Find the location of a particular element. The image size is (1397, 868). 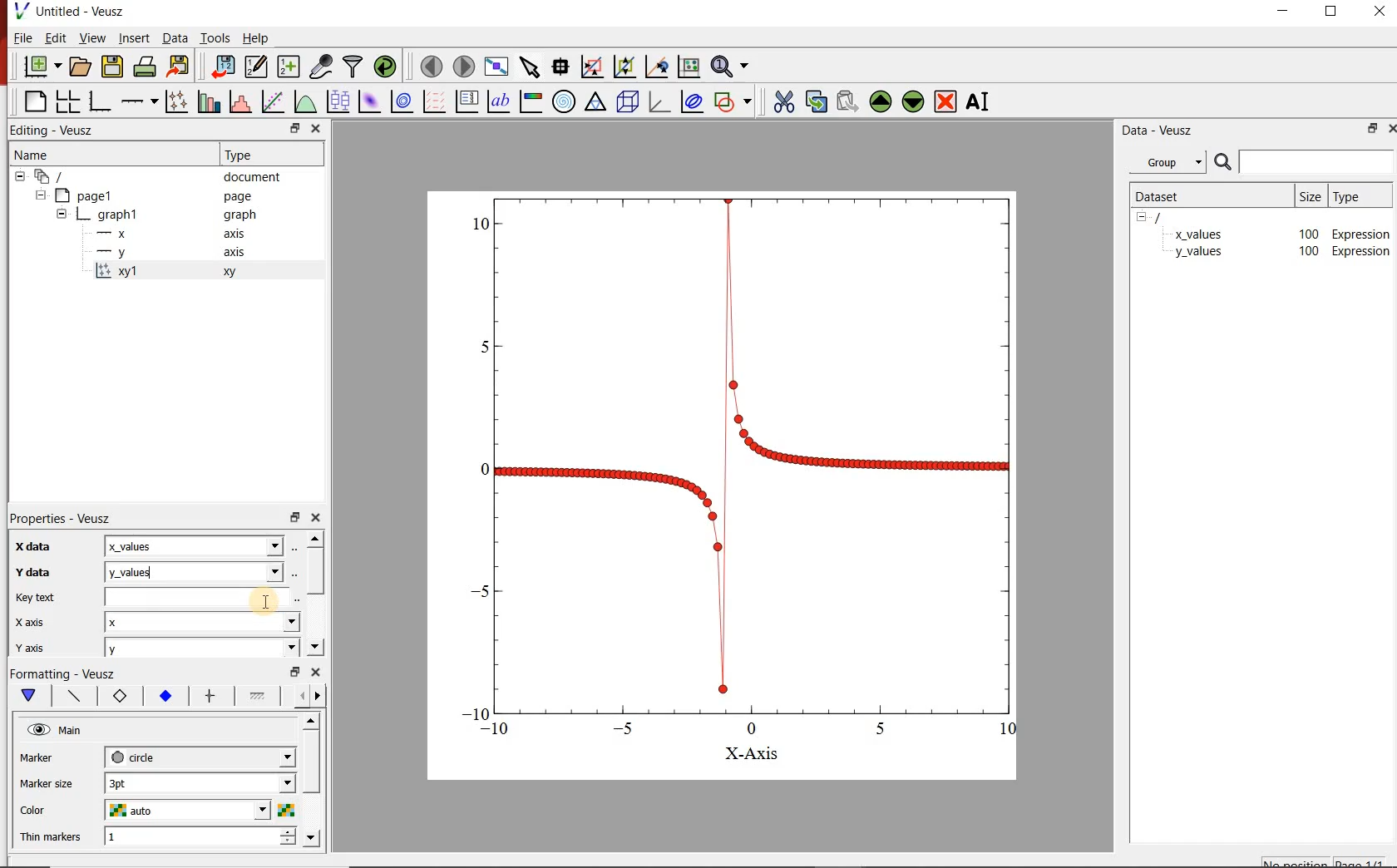

tools is located at coordinates (217, 37).